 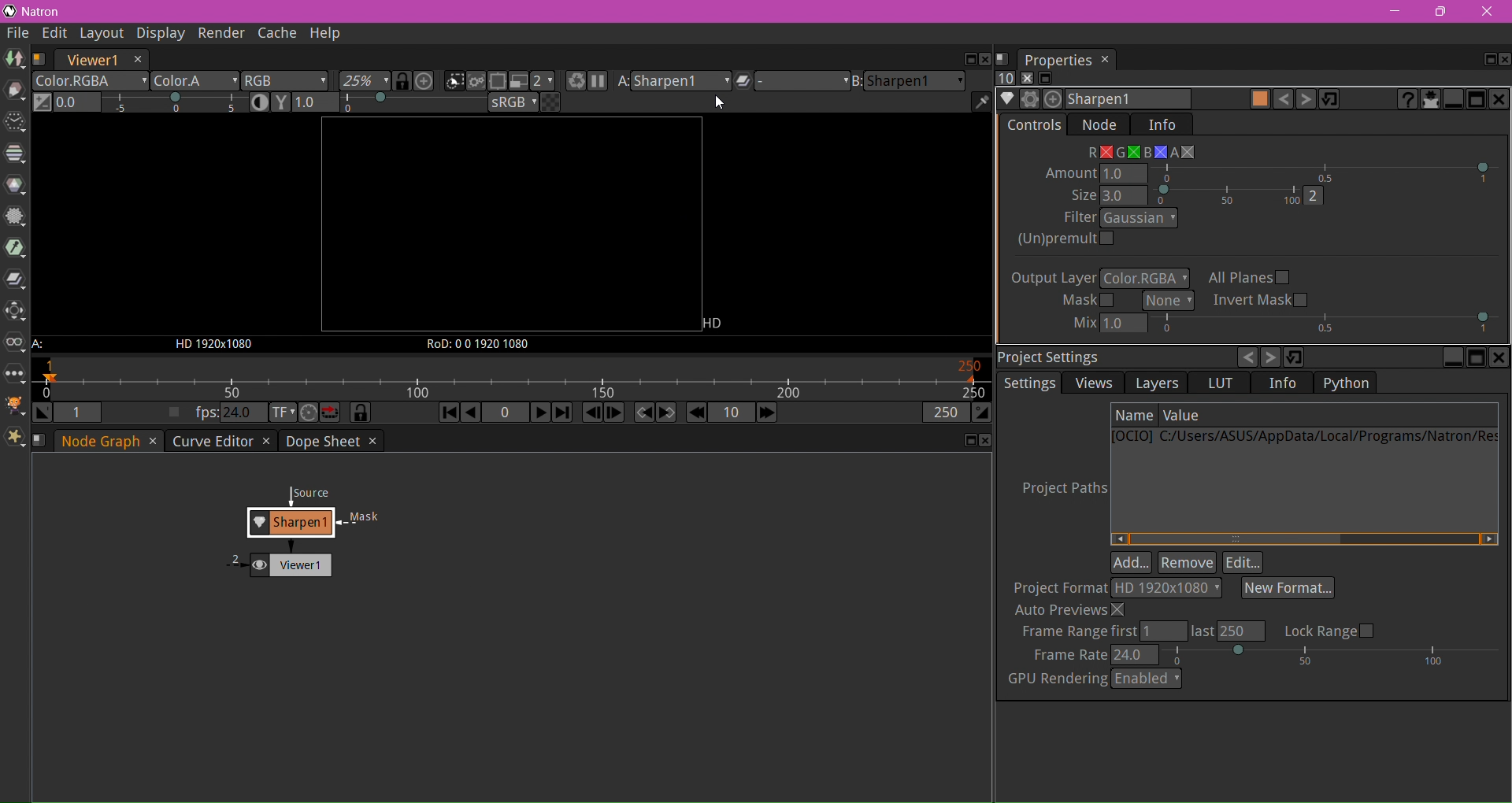 What do you see at coordinates (517, 81) in the screenshot?
I see `Proxy mode` at bounding box center [517, 81].